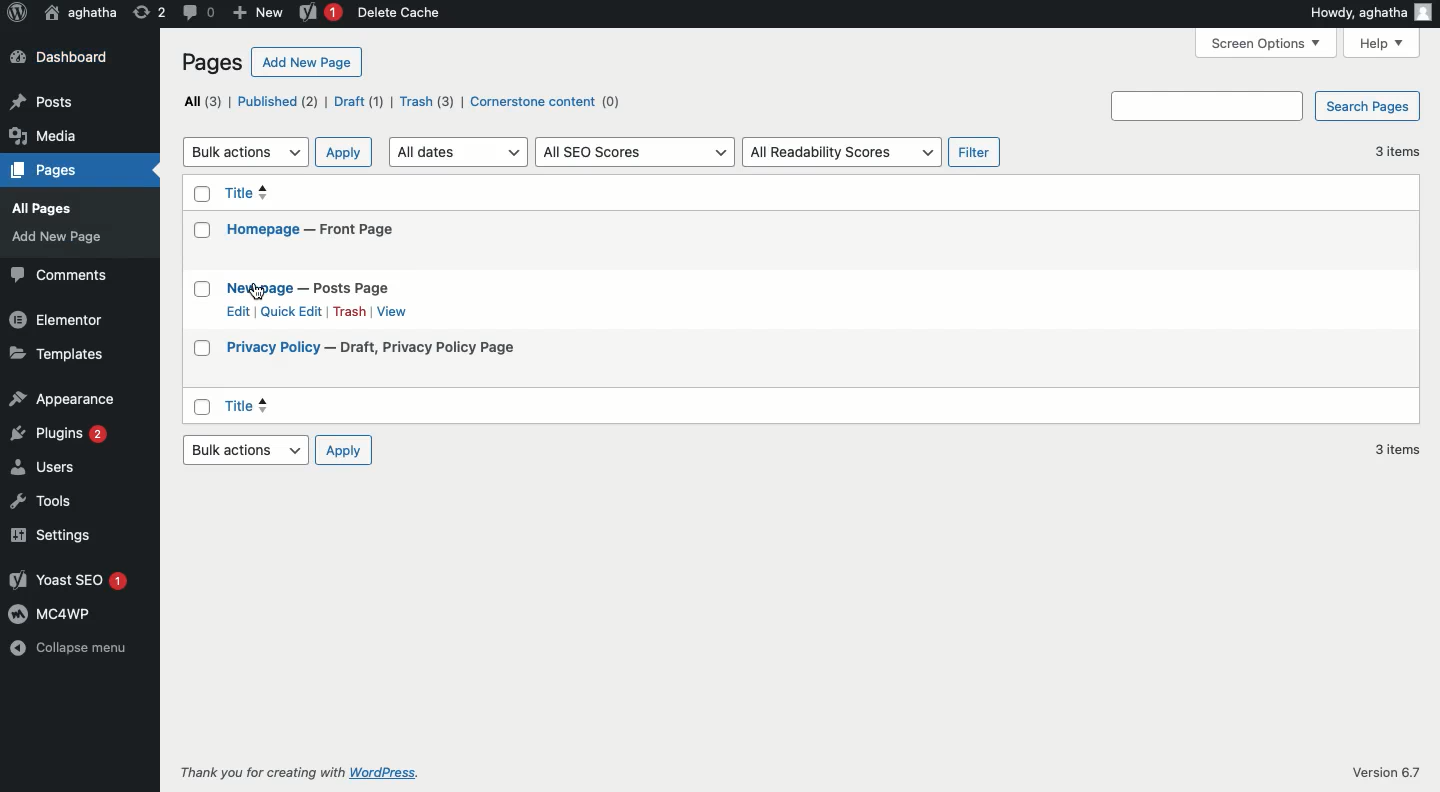  What do you see at coordinates (246, 450) in the screenshot?
I see `Bulk actions` at bounding box center [246, 450].